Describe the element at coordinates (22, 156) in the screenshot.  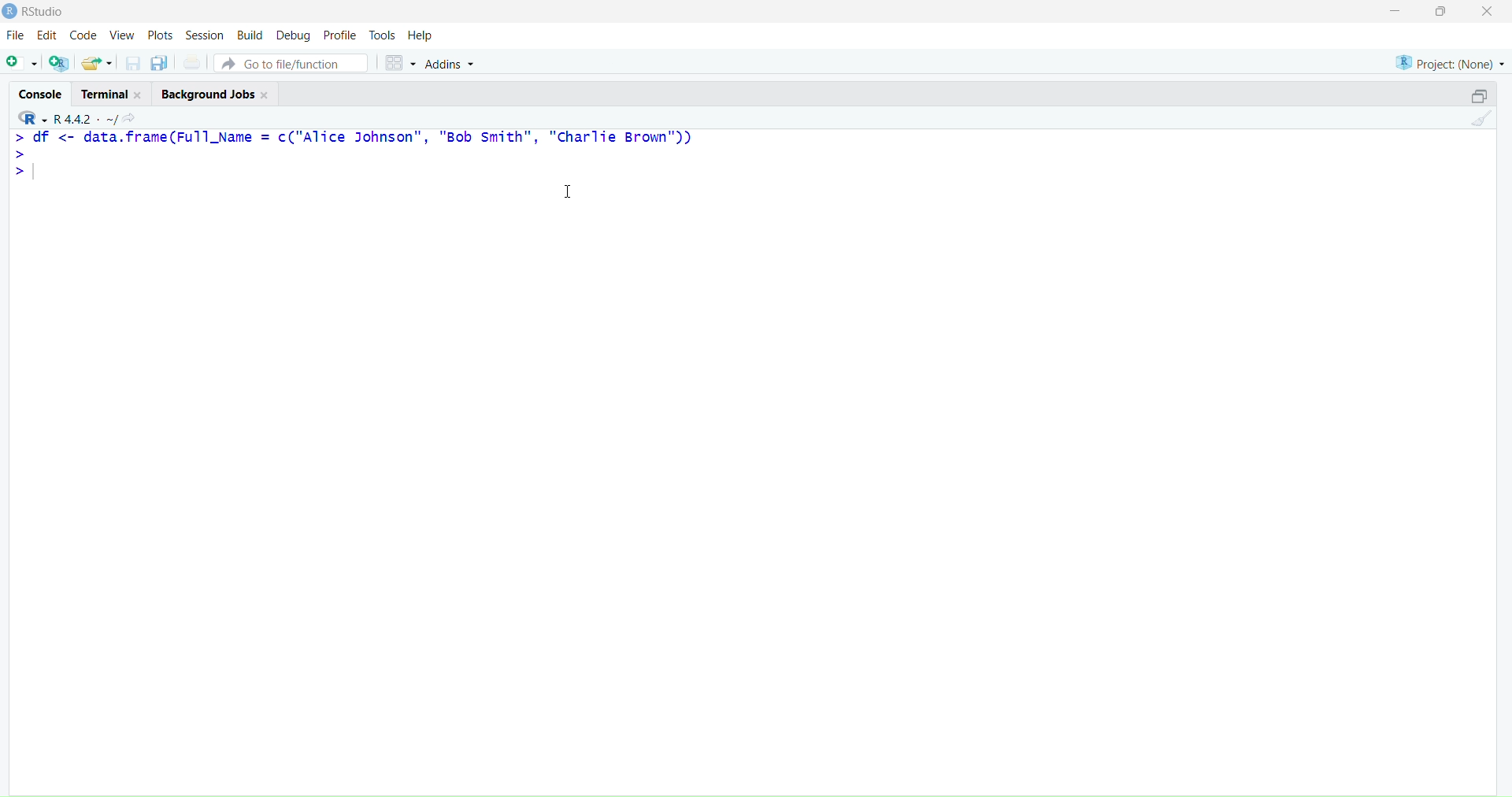
I see `Prompt cursor` at that location.